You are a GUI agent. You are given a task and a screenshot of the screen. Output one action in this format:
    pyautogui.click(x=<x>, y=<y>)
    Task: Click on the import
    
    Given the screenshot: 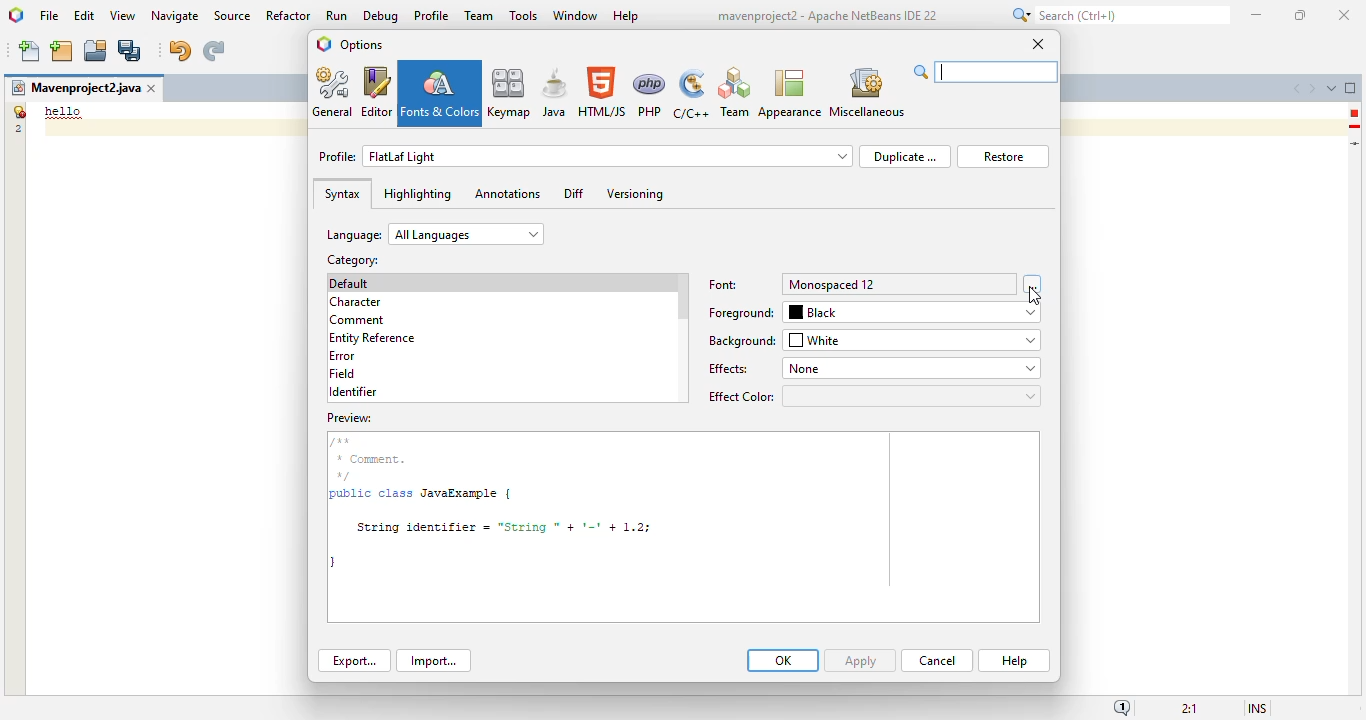 What is the action you would take?
    pyautogui.click(x=433, y=661)
    